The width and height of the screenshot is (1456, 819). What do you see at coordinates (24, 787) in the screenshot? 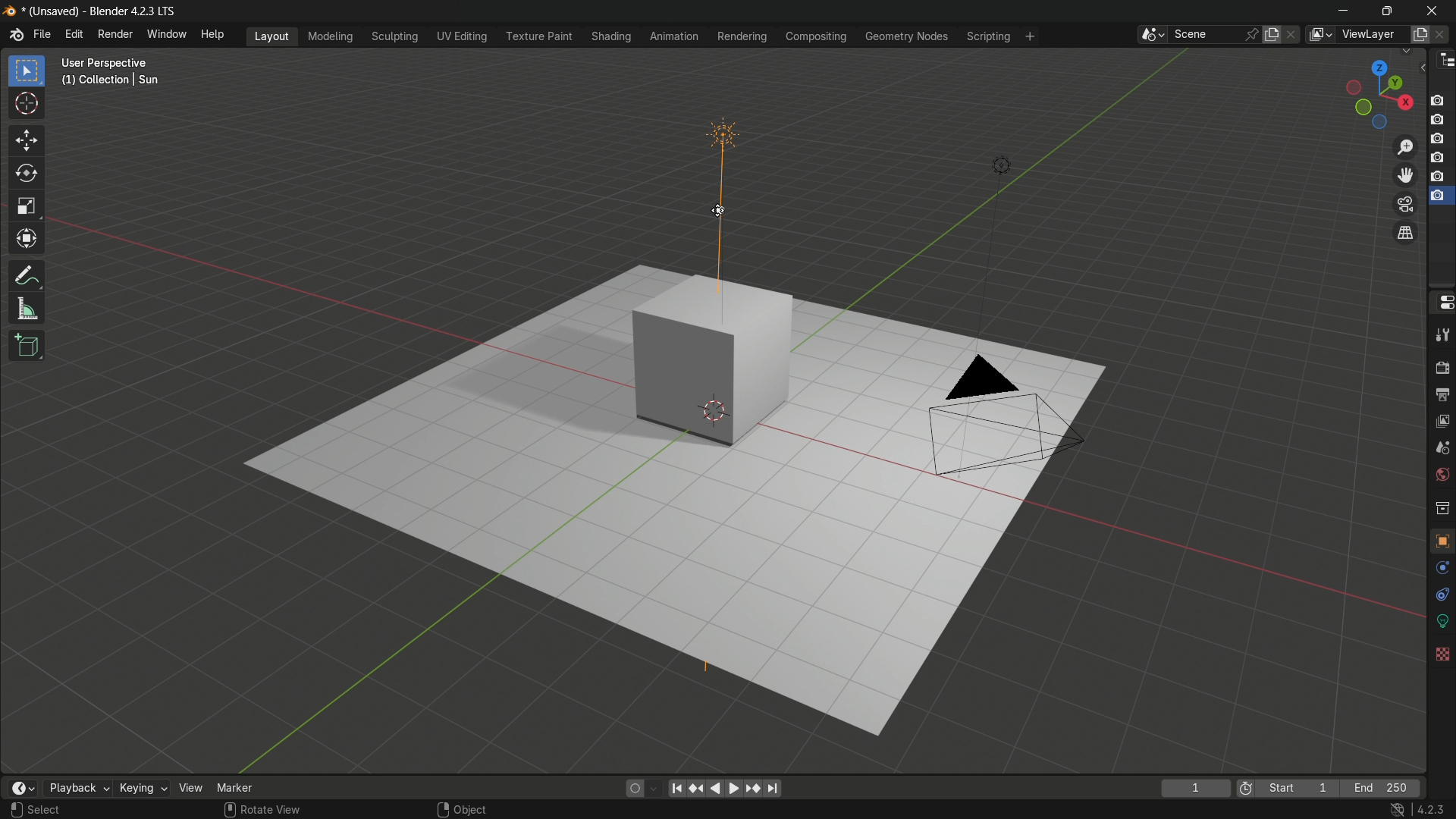
I see `timeline` at bounding box center [24, 787].